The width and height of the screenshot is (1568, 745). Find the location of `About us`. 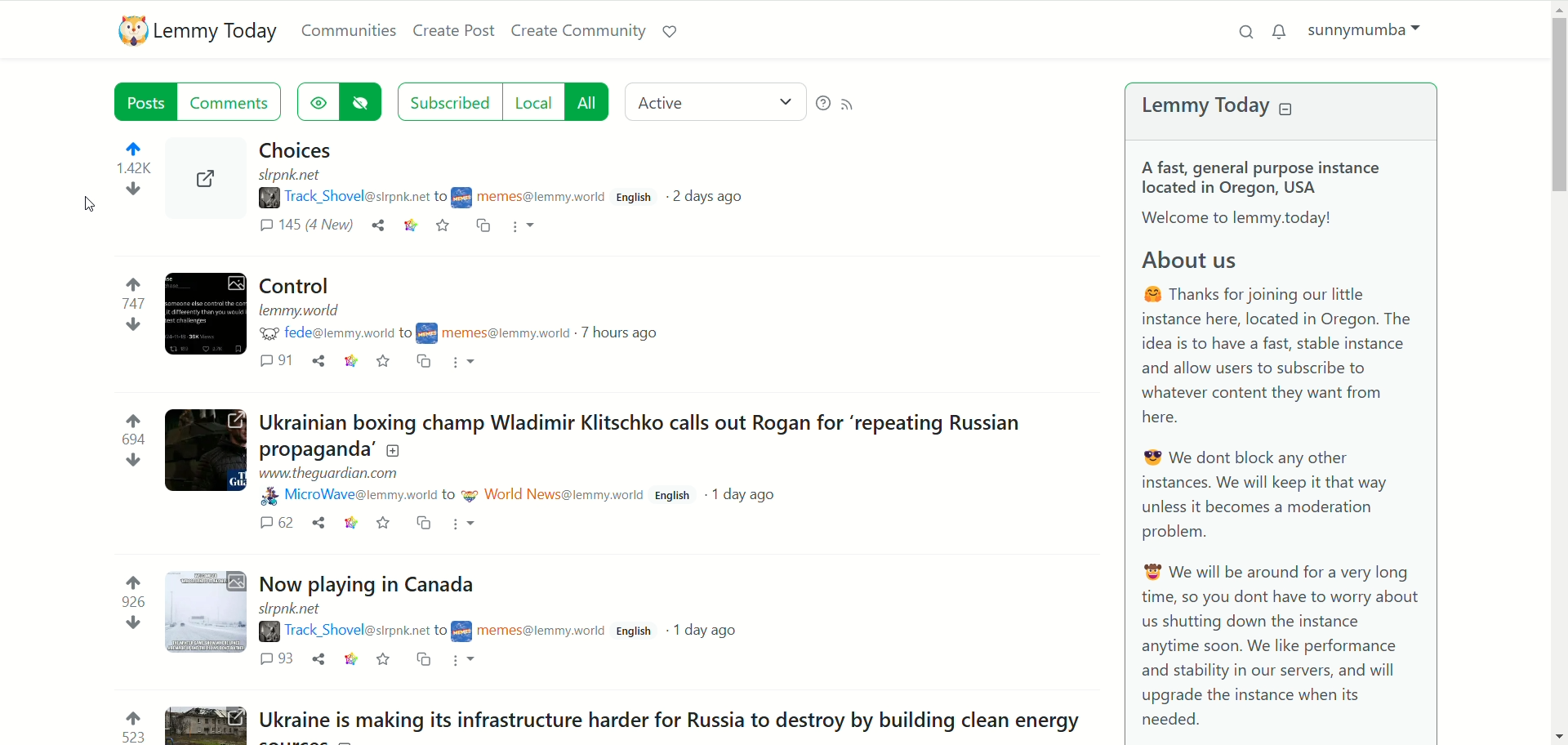

About us is located at coordinates (1225, 261).